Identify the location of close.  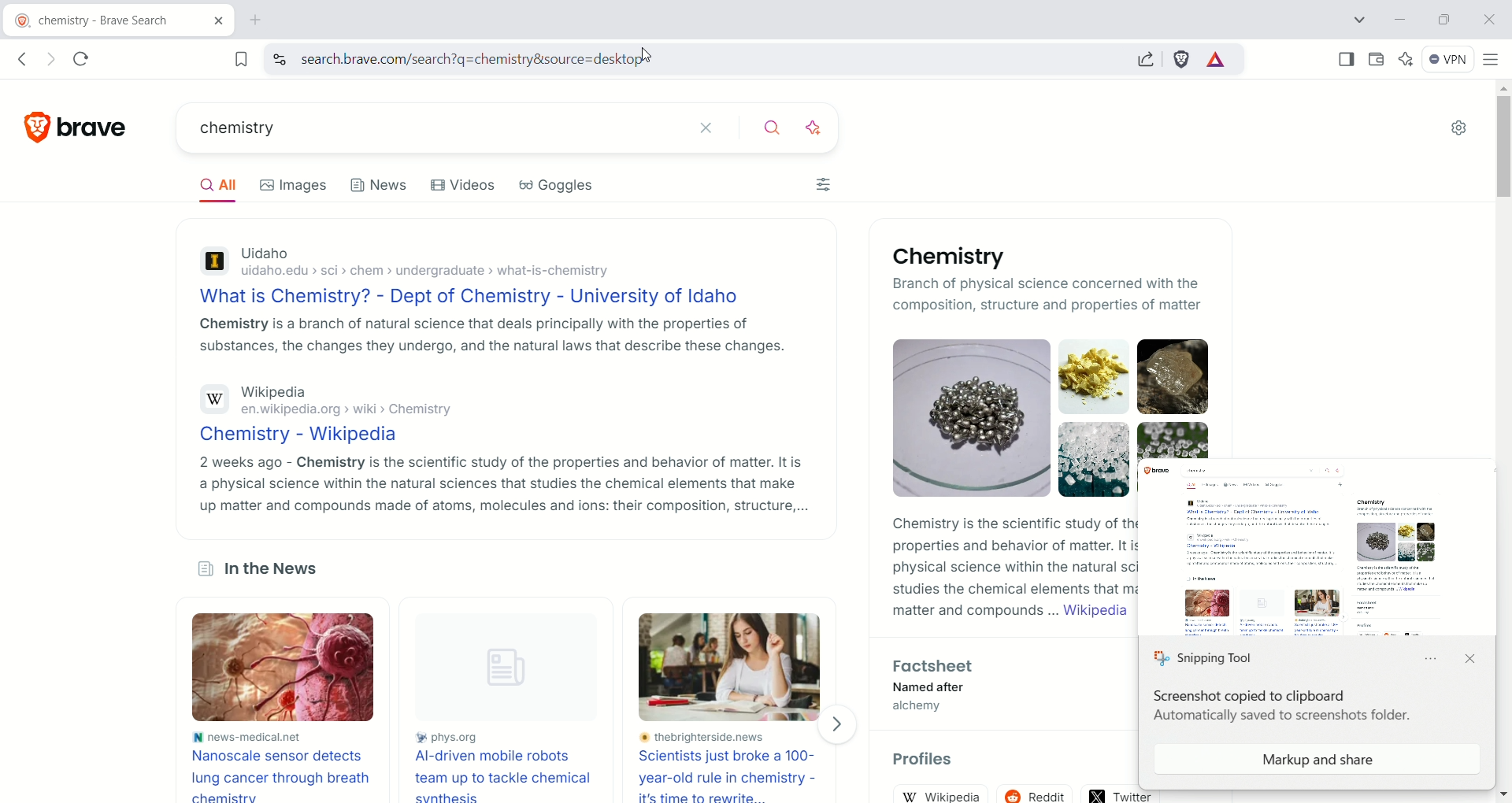
(211, 24).